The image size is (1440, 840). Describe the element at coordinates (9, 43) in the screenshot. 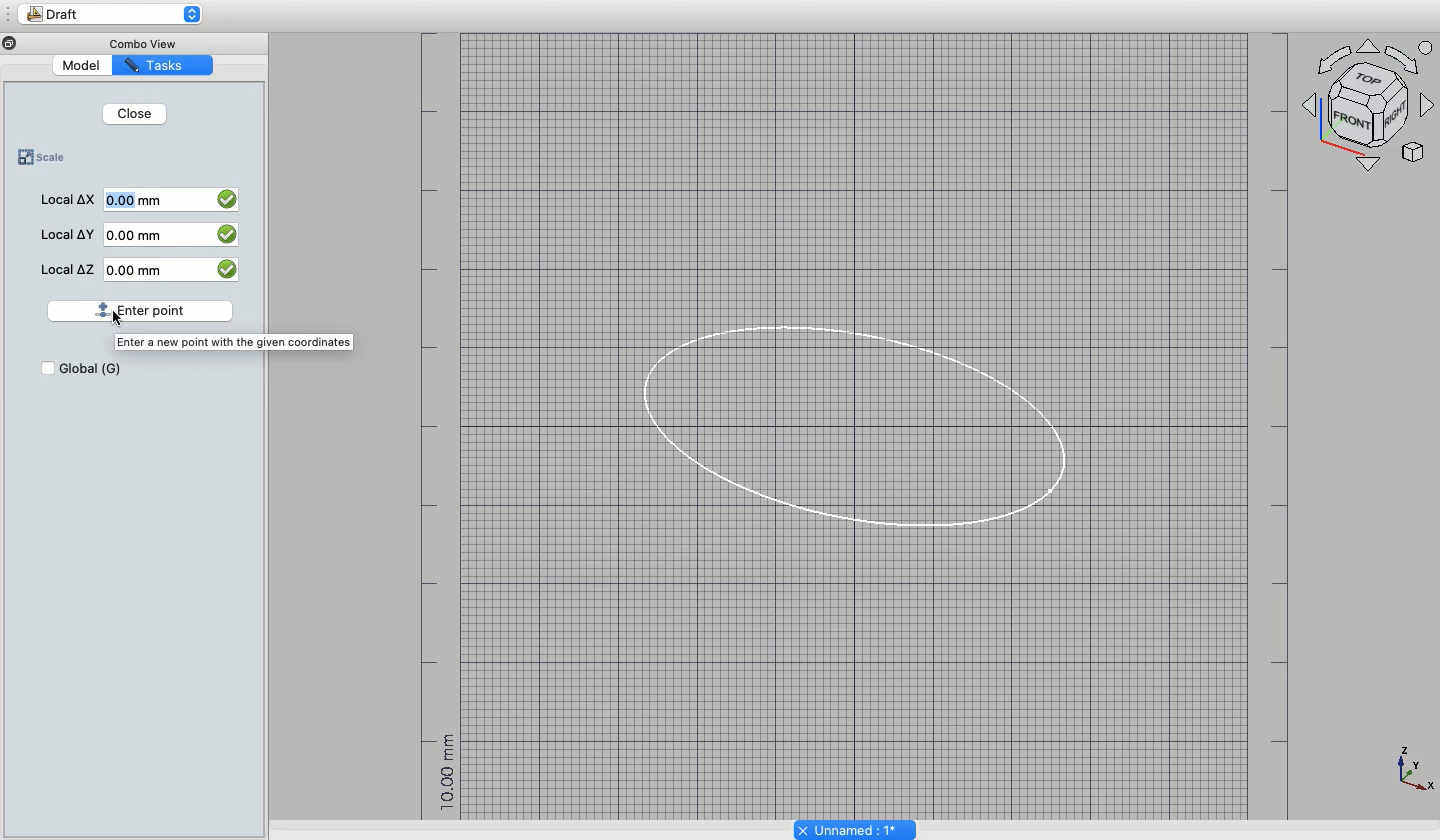

I see `close` at that location.